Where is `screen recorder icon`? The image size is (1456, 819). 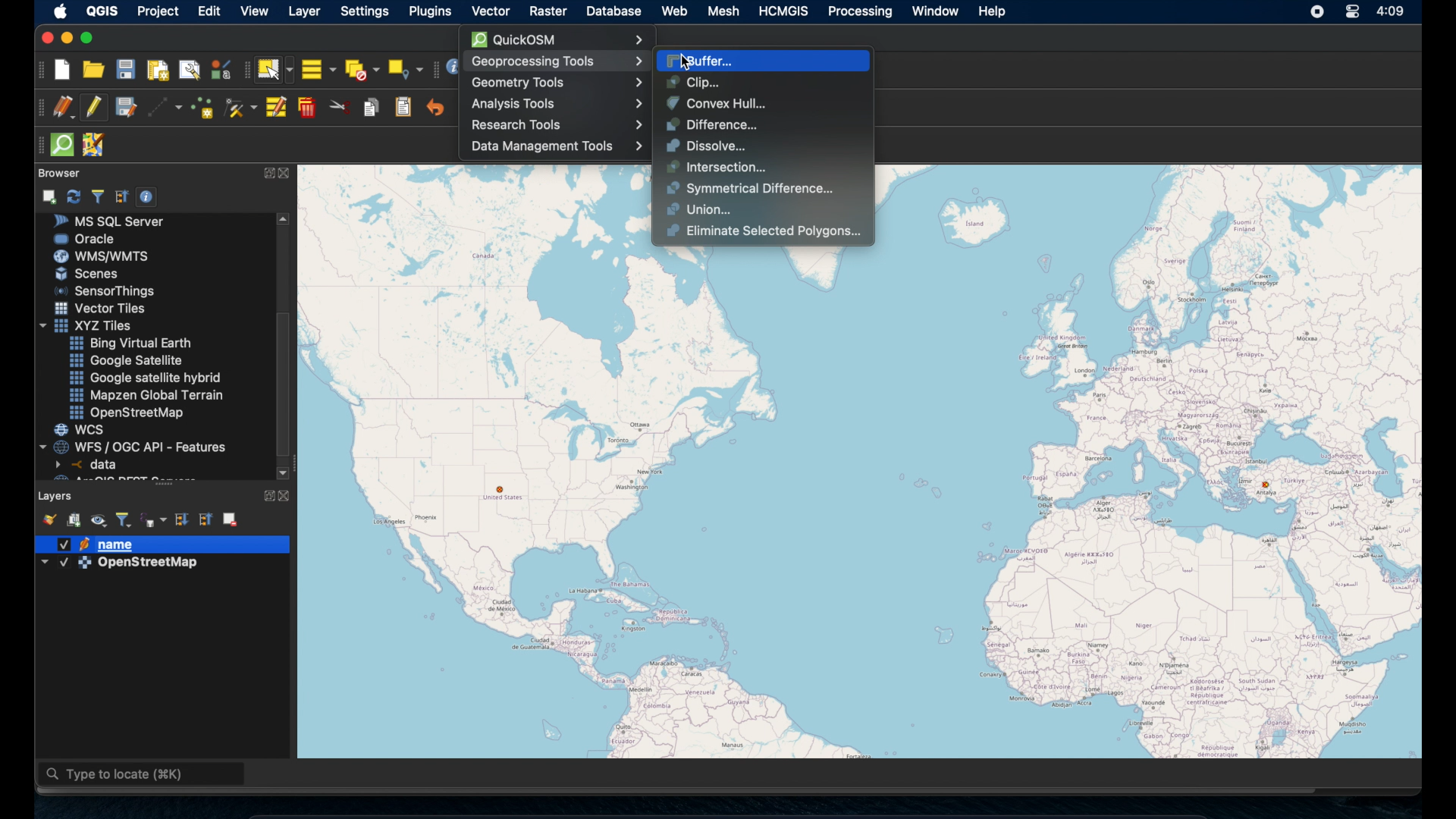 screen recorder icon is located at coordinates (1318, 13).